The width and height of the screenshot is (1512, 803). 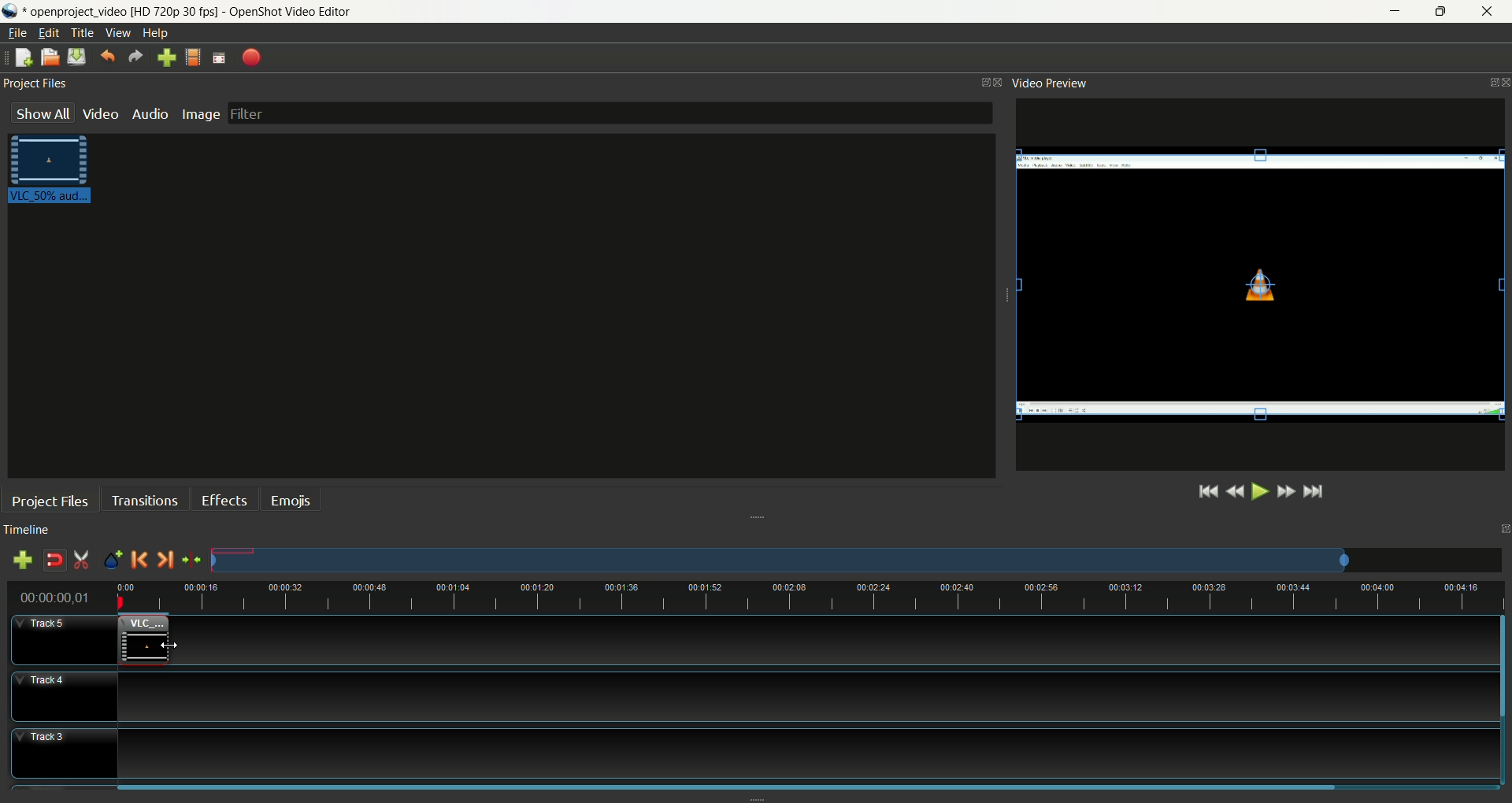 I want to click on video clip, so click(x=144, y=638).